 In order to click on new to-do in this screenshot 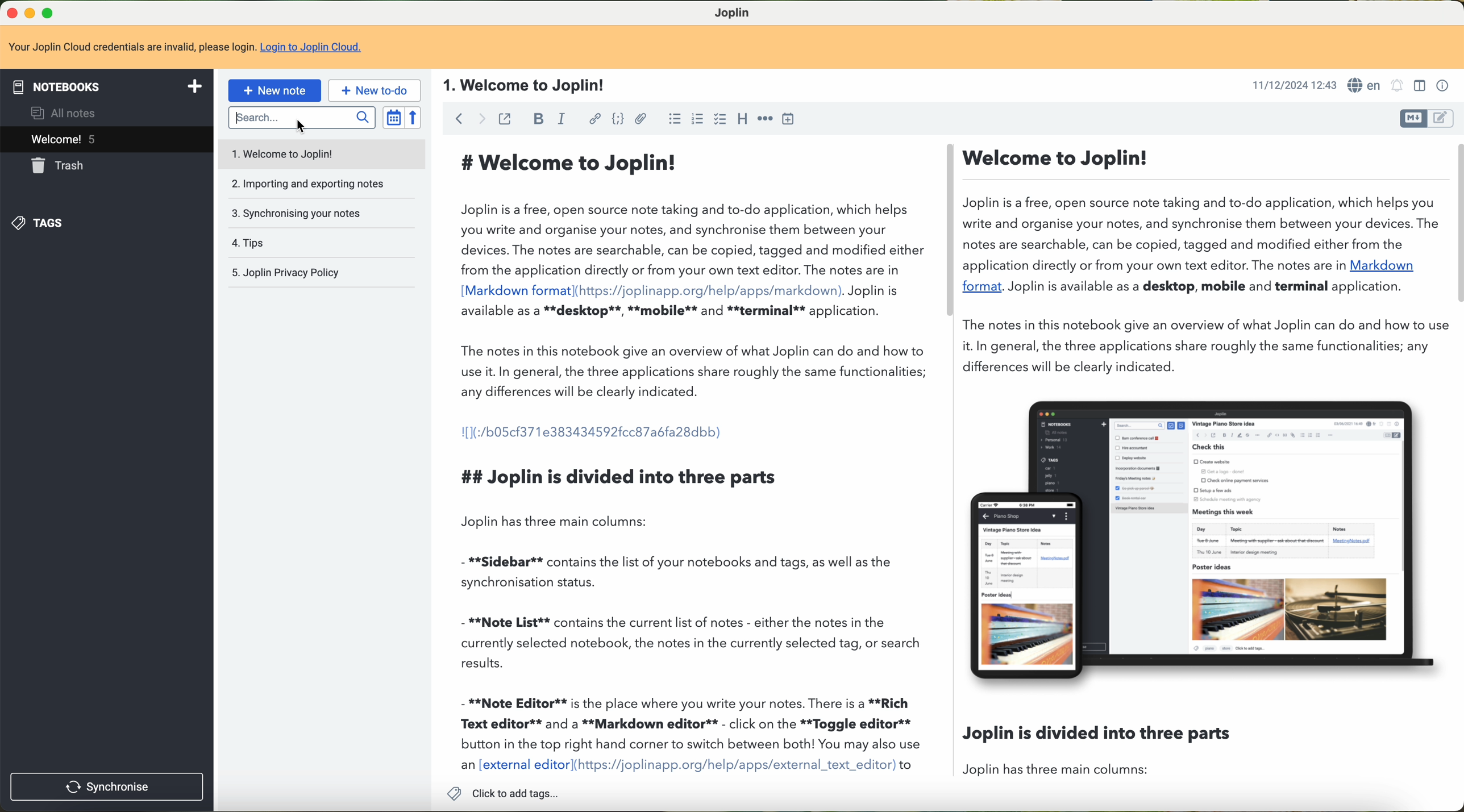, I will do `click(374, 91)`.